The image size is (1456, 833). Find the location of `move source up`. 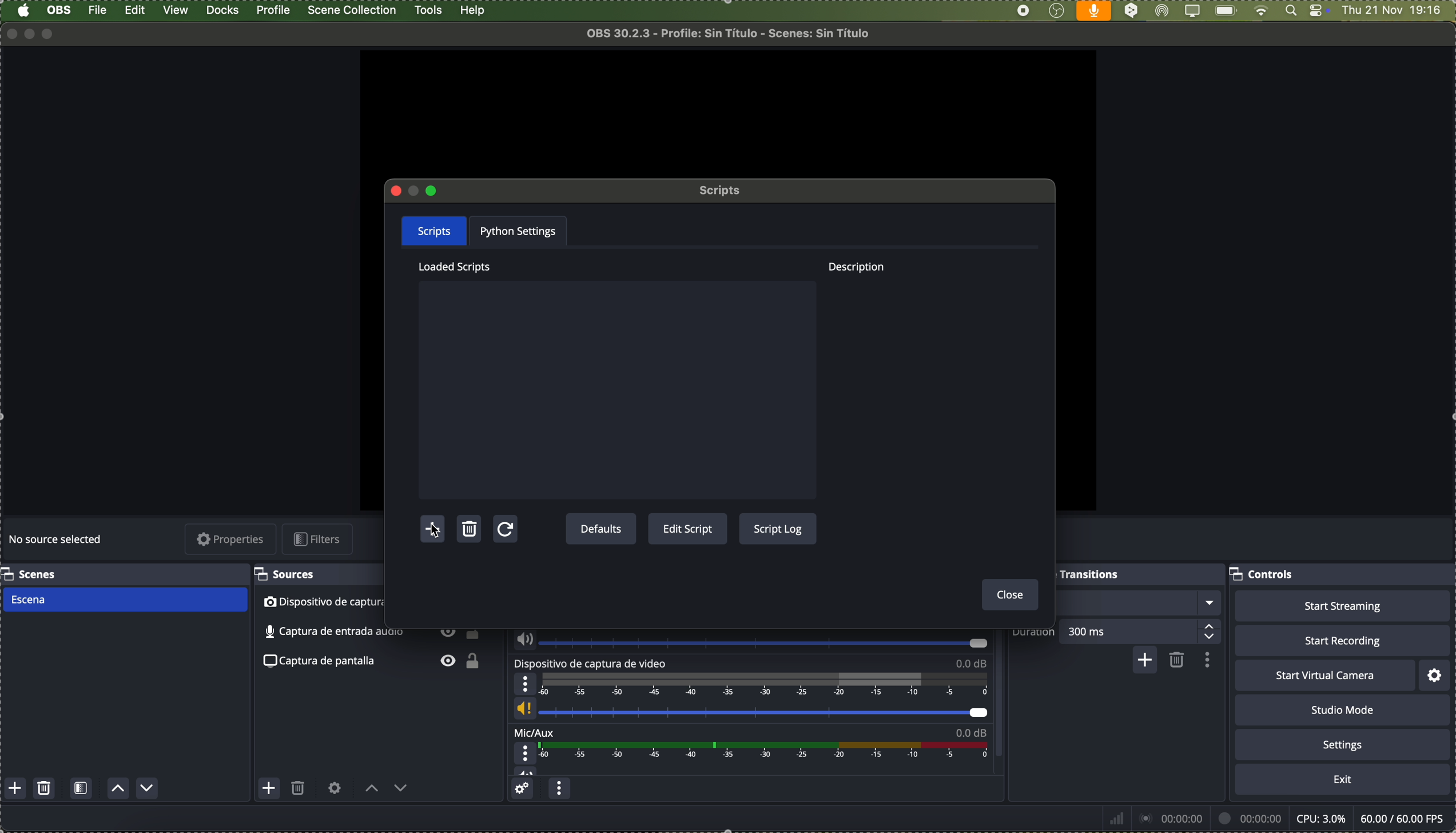

move source up is located at coordinates (372, 789).